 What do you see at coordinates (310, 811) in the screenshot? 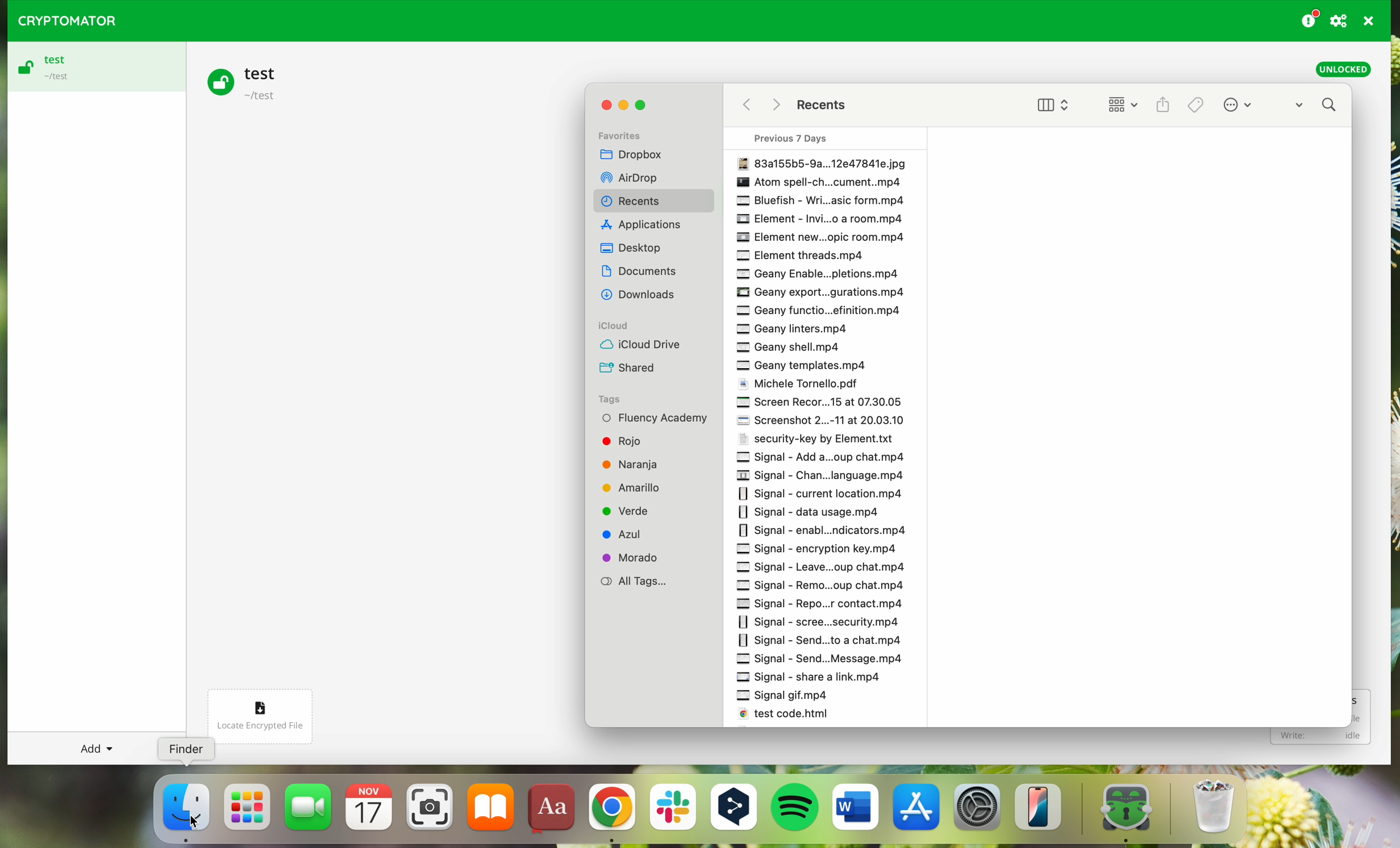
I see `FaceTime` at bounding box center [310, 811].